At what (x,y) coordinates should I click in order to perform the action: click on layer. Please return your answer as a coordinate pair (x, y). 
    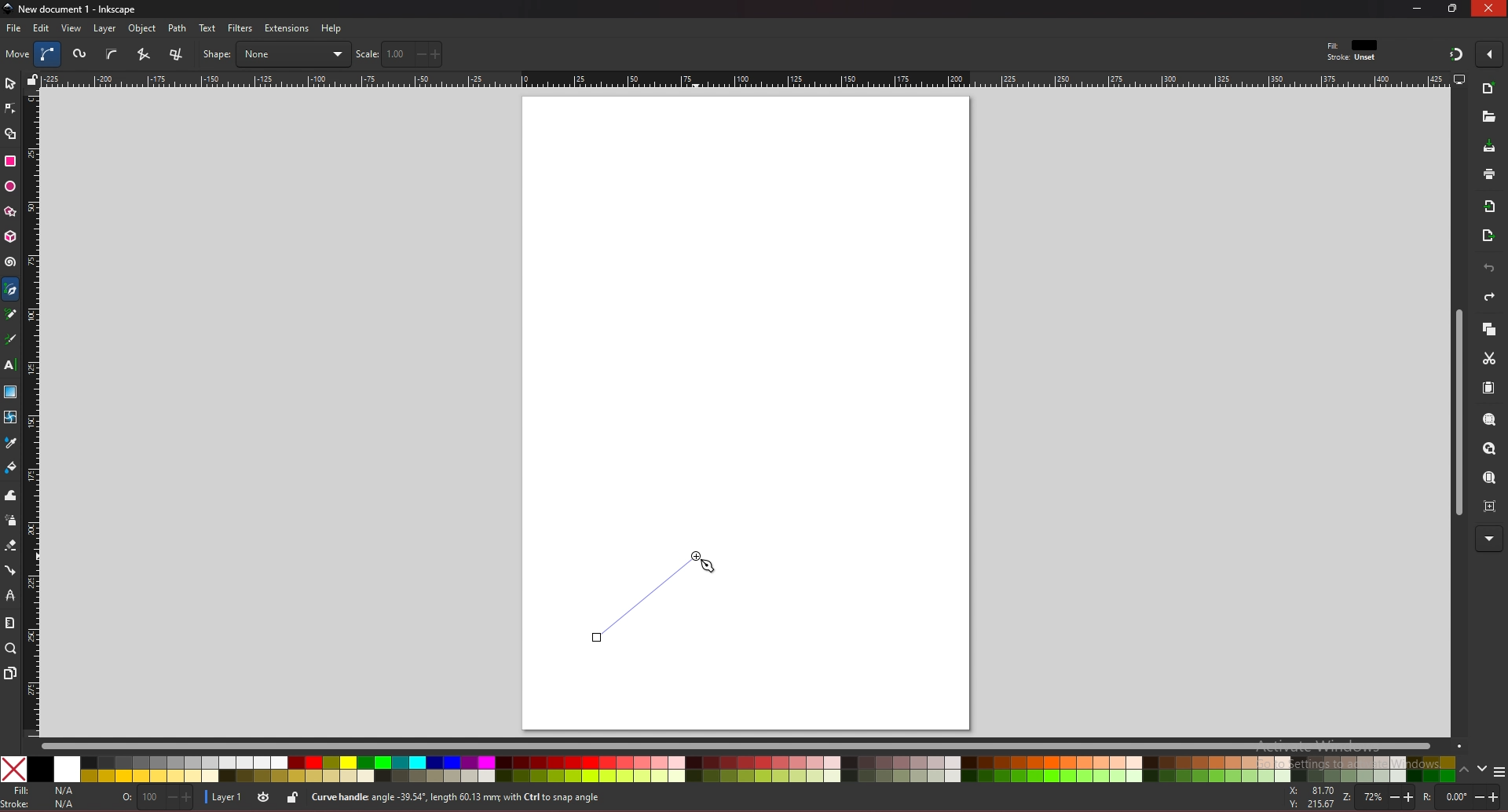
    Looking at the image, I should click on (225, 796).